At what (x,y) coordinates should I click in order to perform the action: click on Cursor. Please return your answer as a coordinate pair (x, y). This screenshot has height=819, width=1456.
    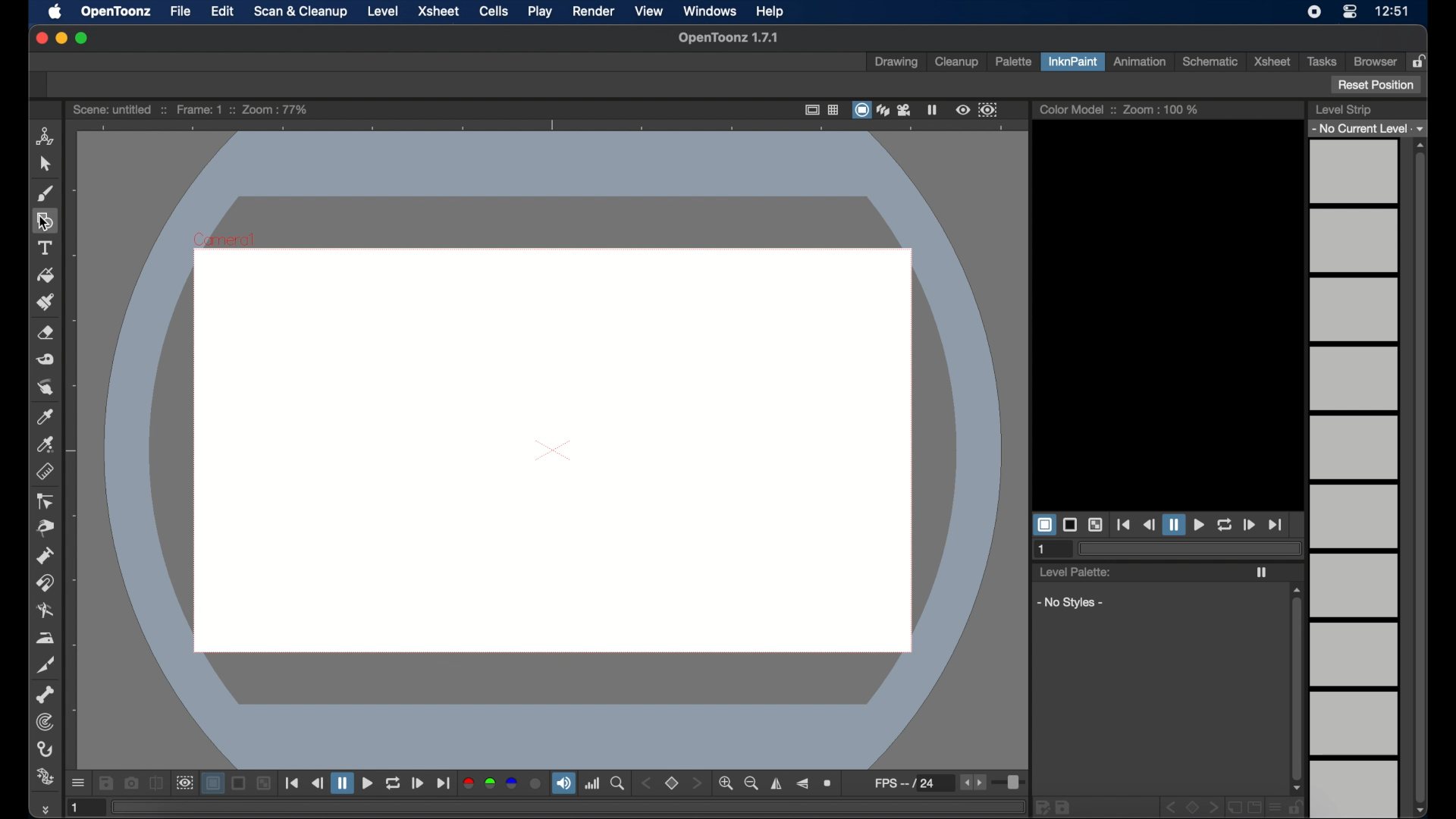
    Looking at the image, I should click on (42, 223).